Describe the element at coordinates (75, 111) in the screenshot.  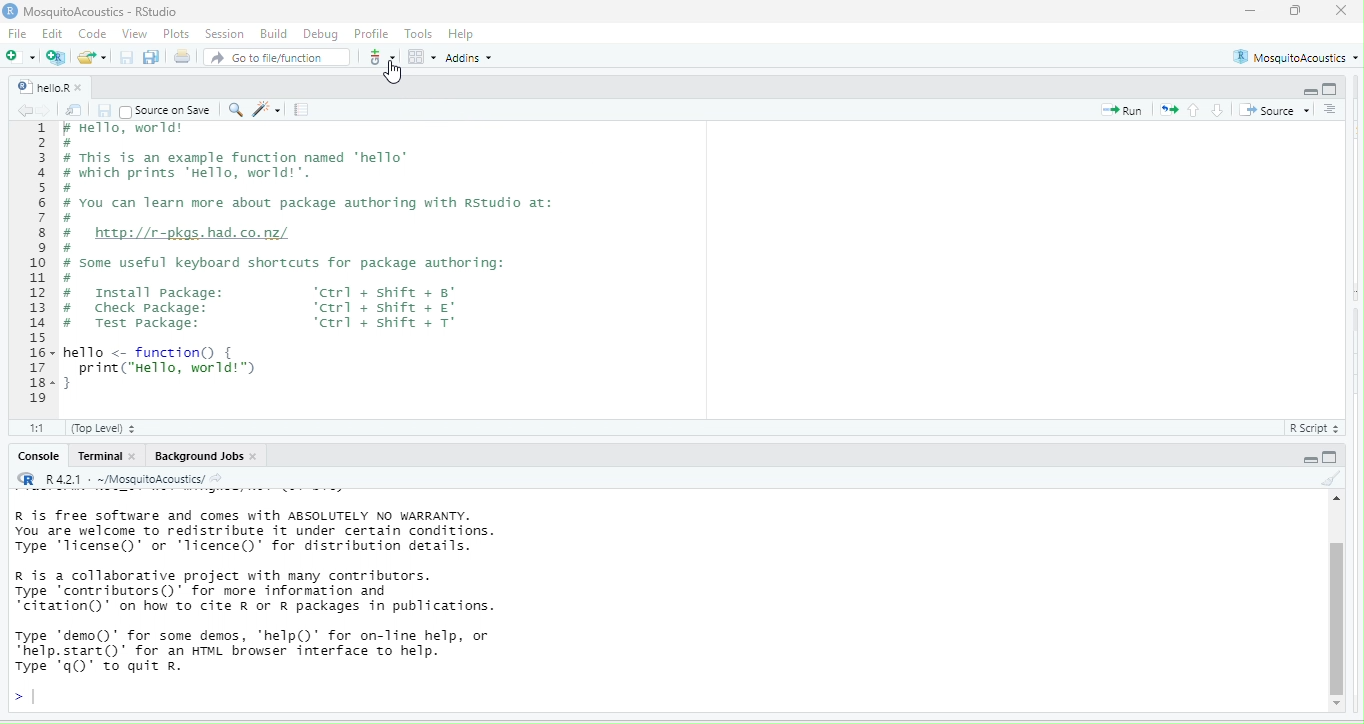
I see `show in new window` at that location.